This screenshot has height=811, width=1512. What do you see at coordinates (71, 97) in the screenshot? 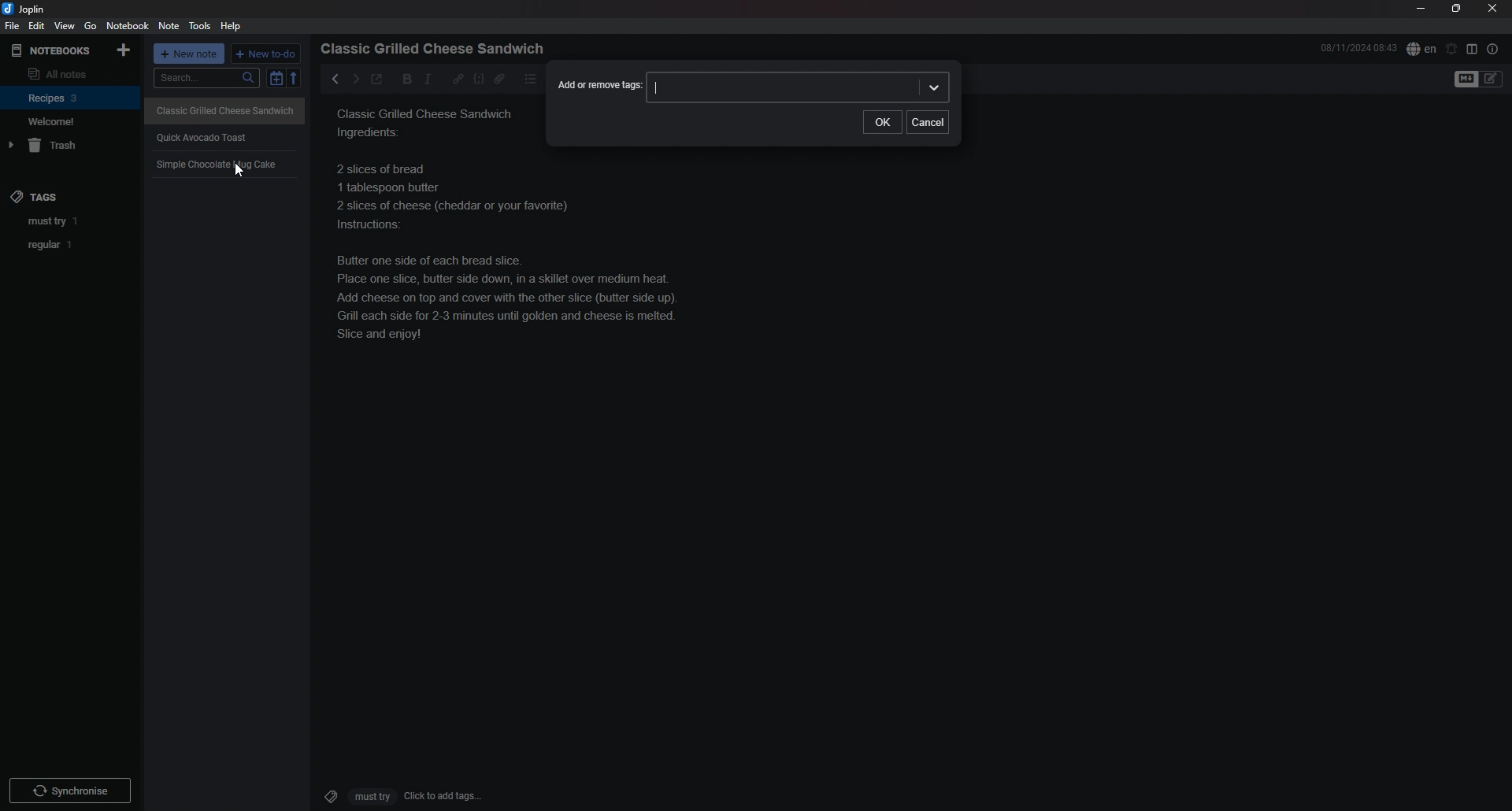
I see `notebook` at bounding box center [71, 97].